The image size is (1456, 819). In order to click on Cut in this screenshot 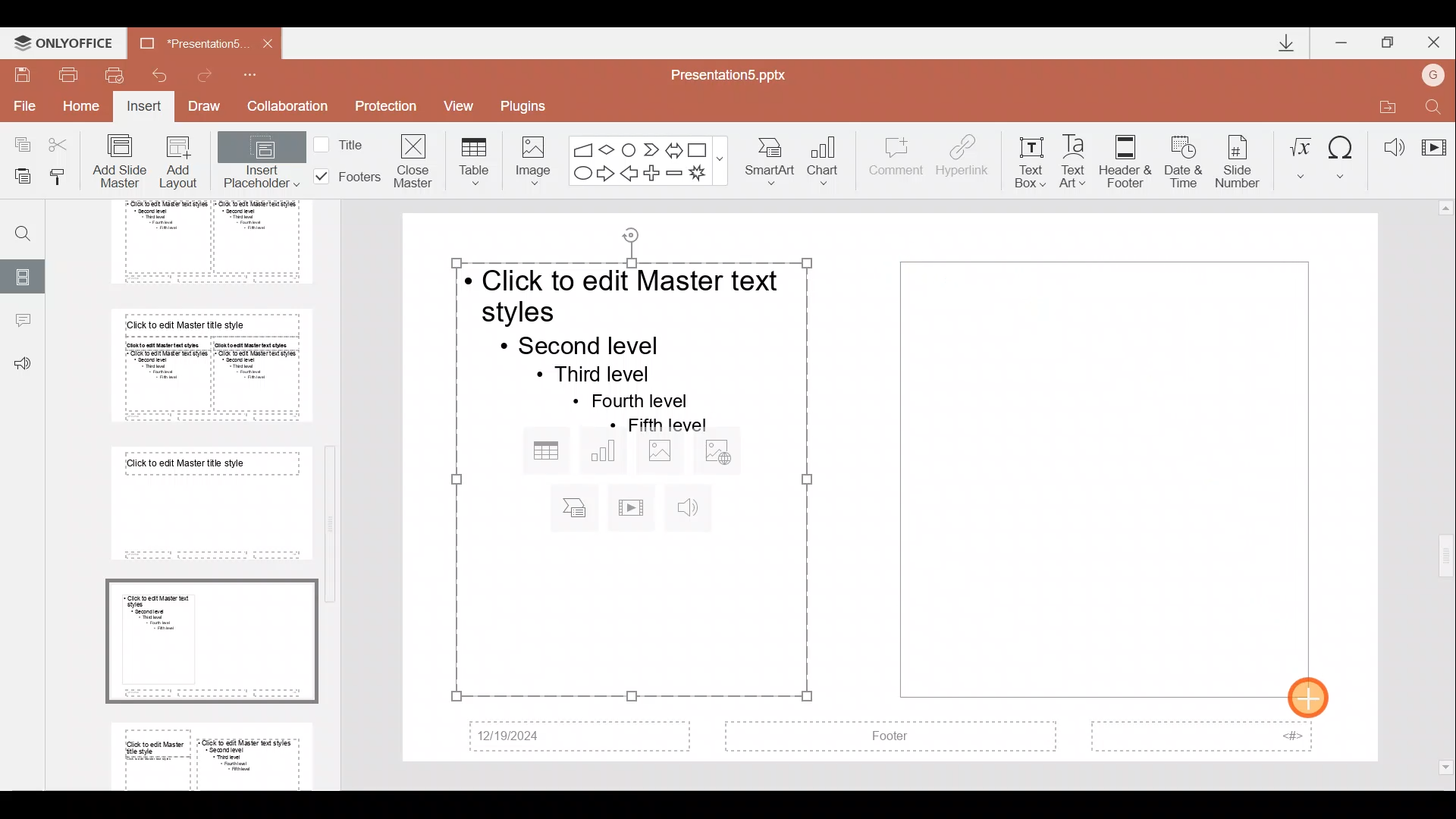, I will do `click(62, 144)`.